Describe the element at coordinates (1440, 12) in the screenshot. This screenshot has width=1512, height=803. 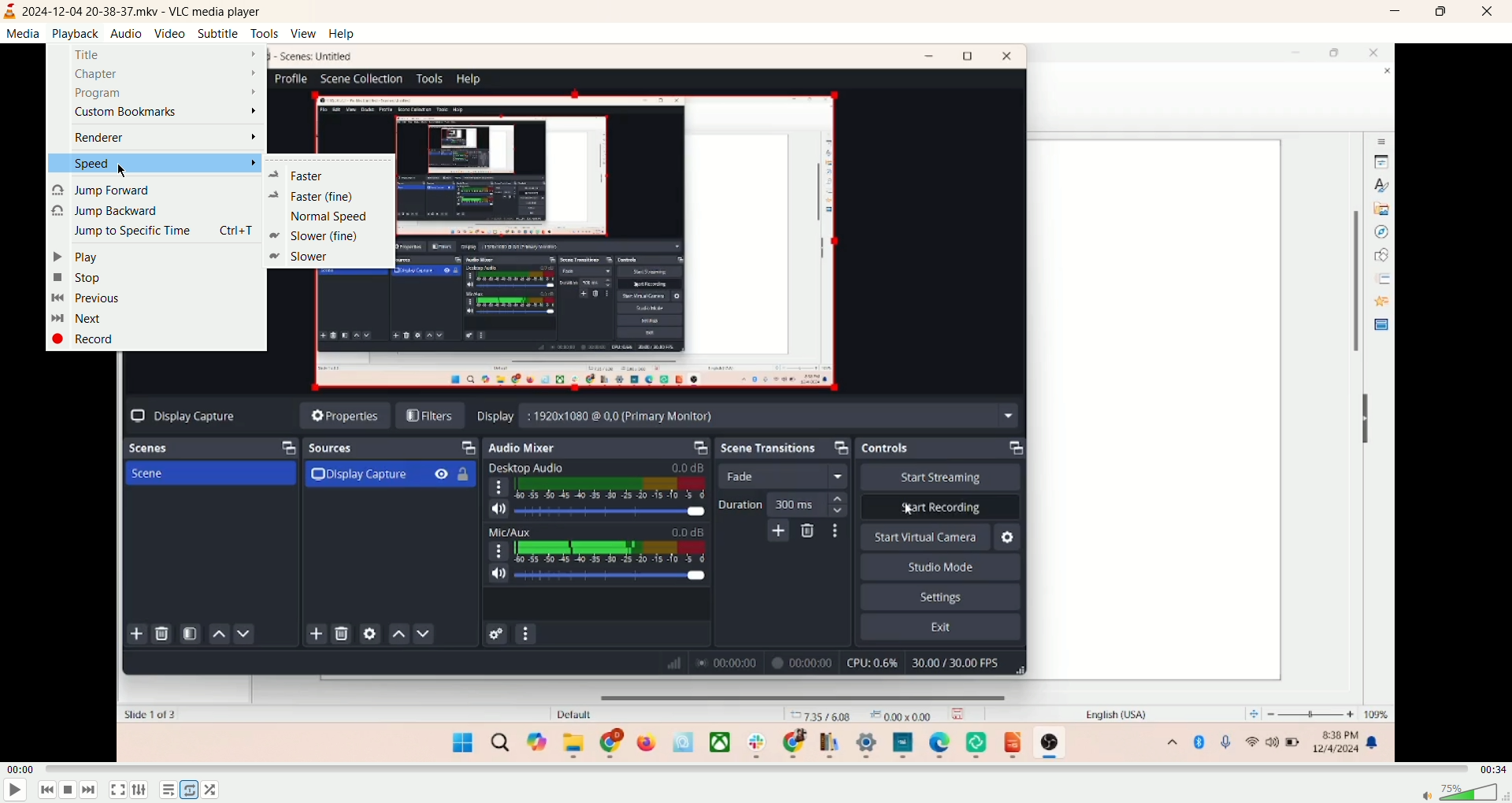
I see `maximize` at that location.